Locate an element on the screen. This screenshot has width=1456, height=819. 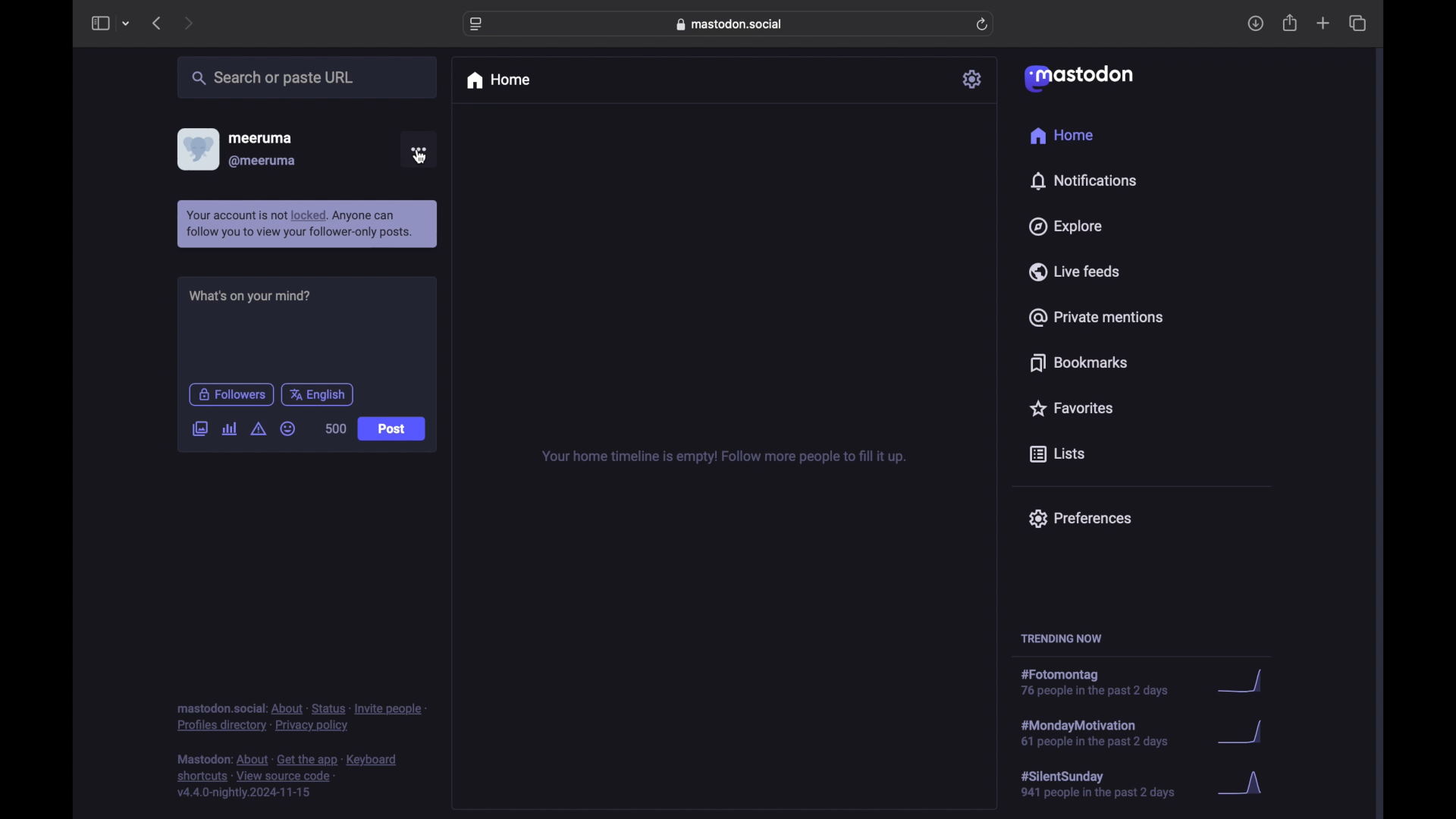
refresh is located at coordinates (983, 24).